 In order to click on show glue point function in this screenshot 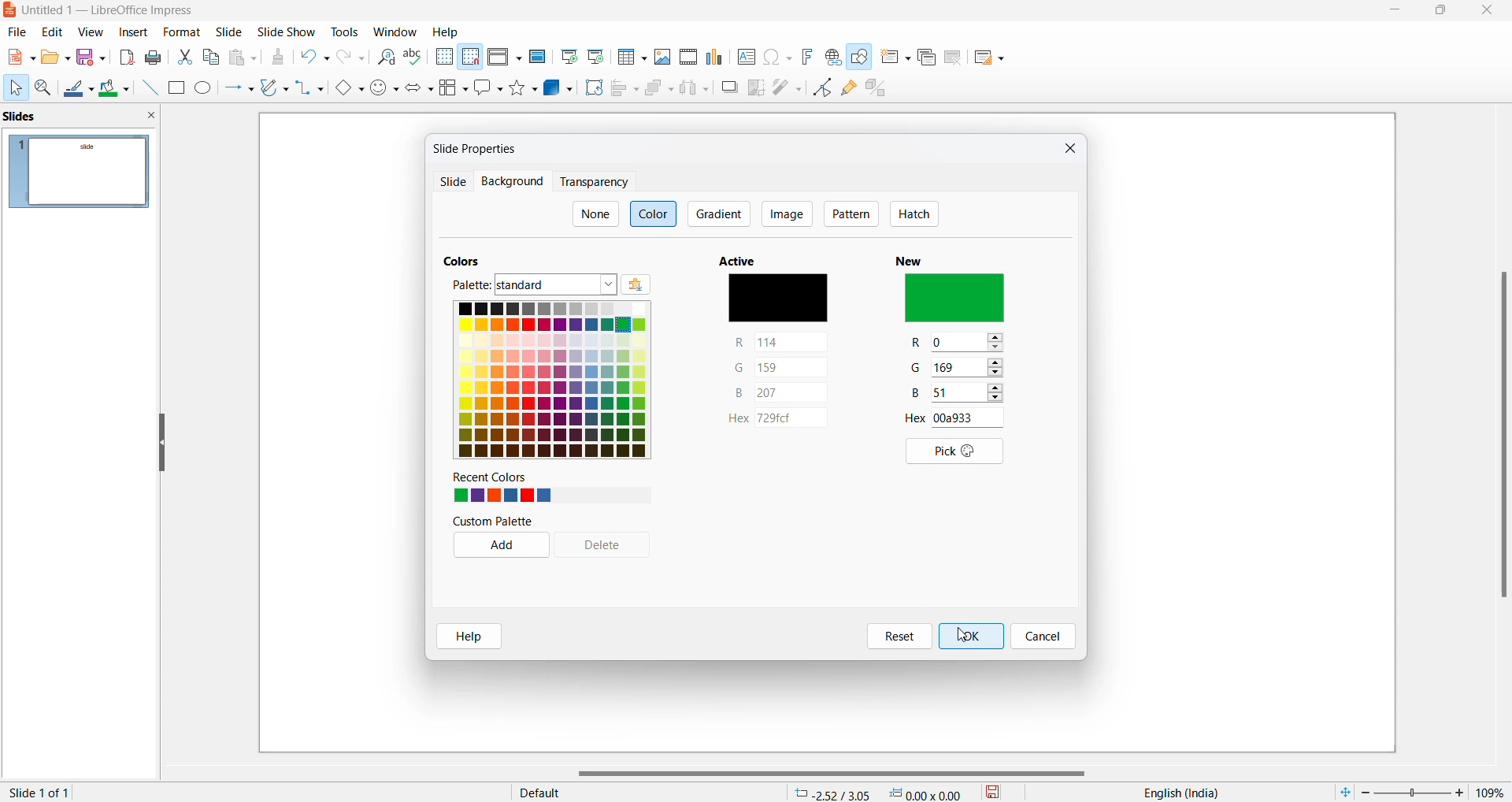, I will do `click(850, 91)`.